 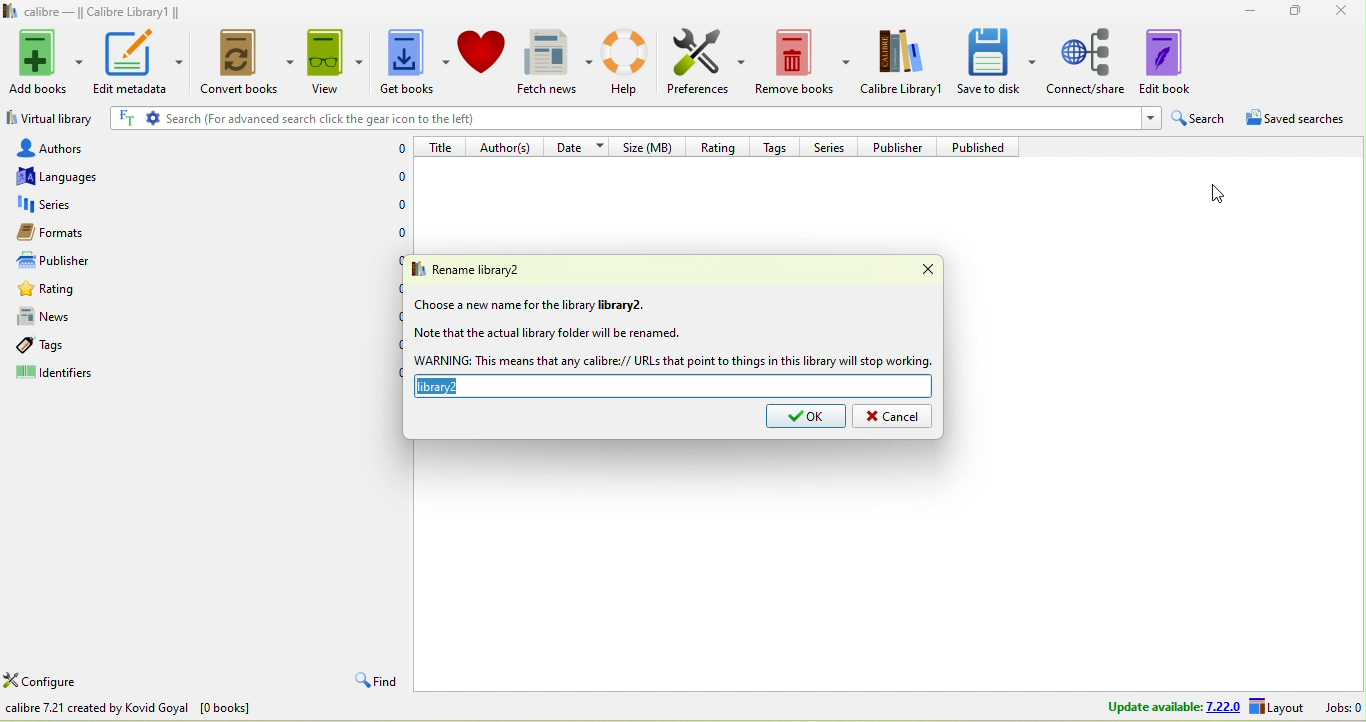 What do you see at coordinates (1215, 191) in the screenshot?
I see `cursor` at bounding box center [1215, 191].